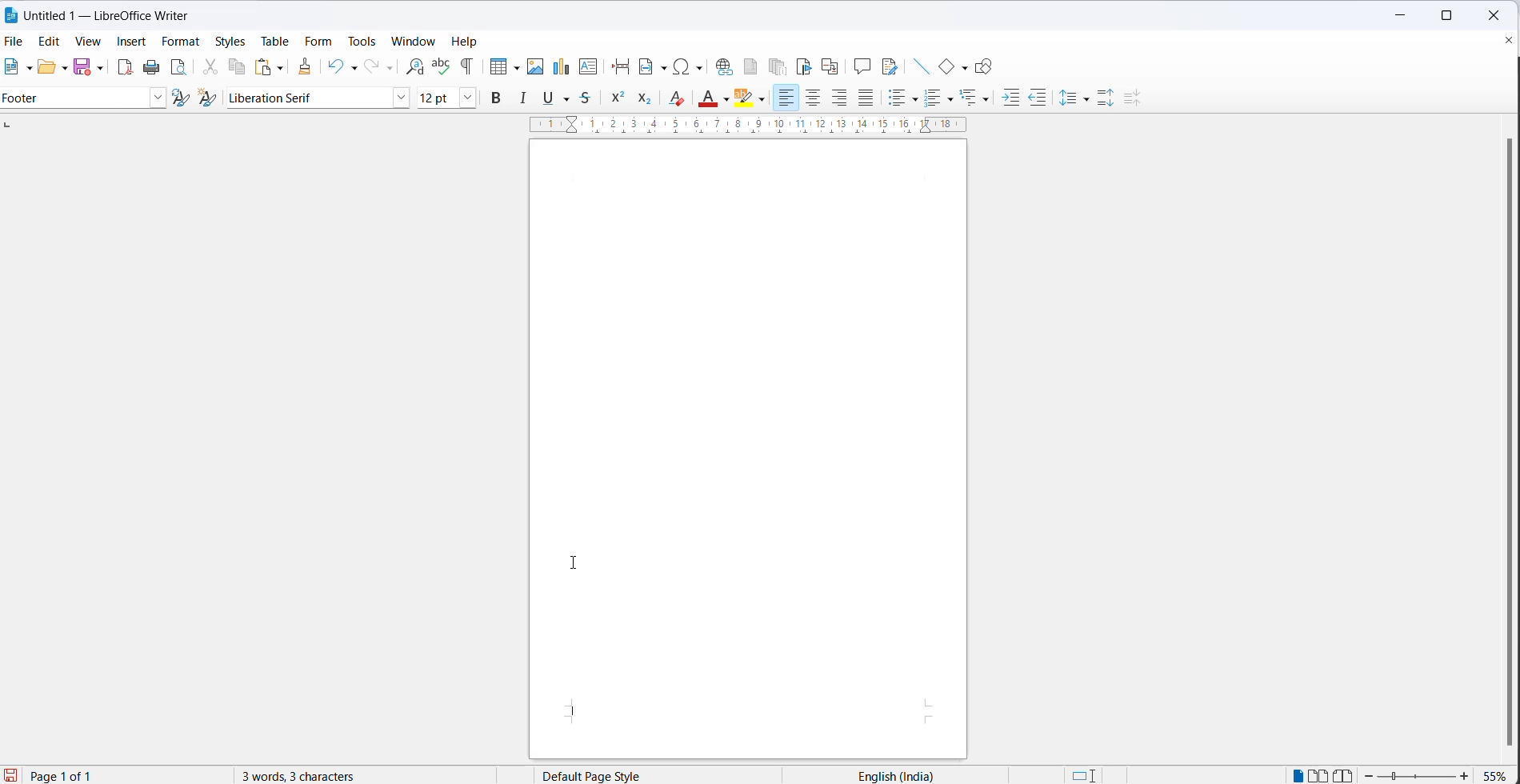  I want to click on insert, so click(133, 44).